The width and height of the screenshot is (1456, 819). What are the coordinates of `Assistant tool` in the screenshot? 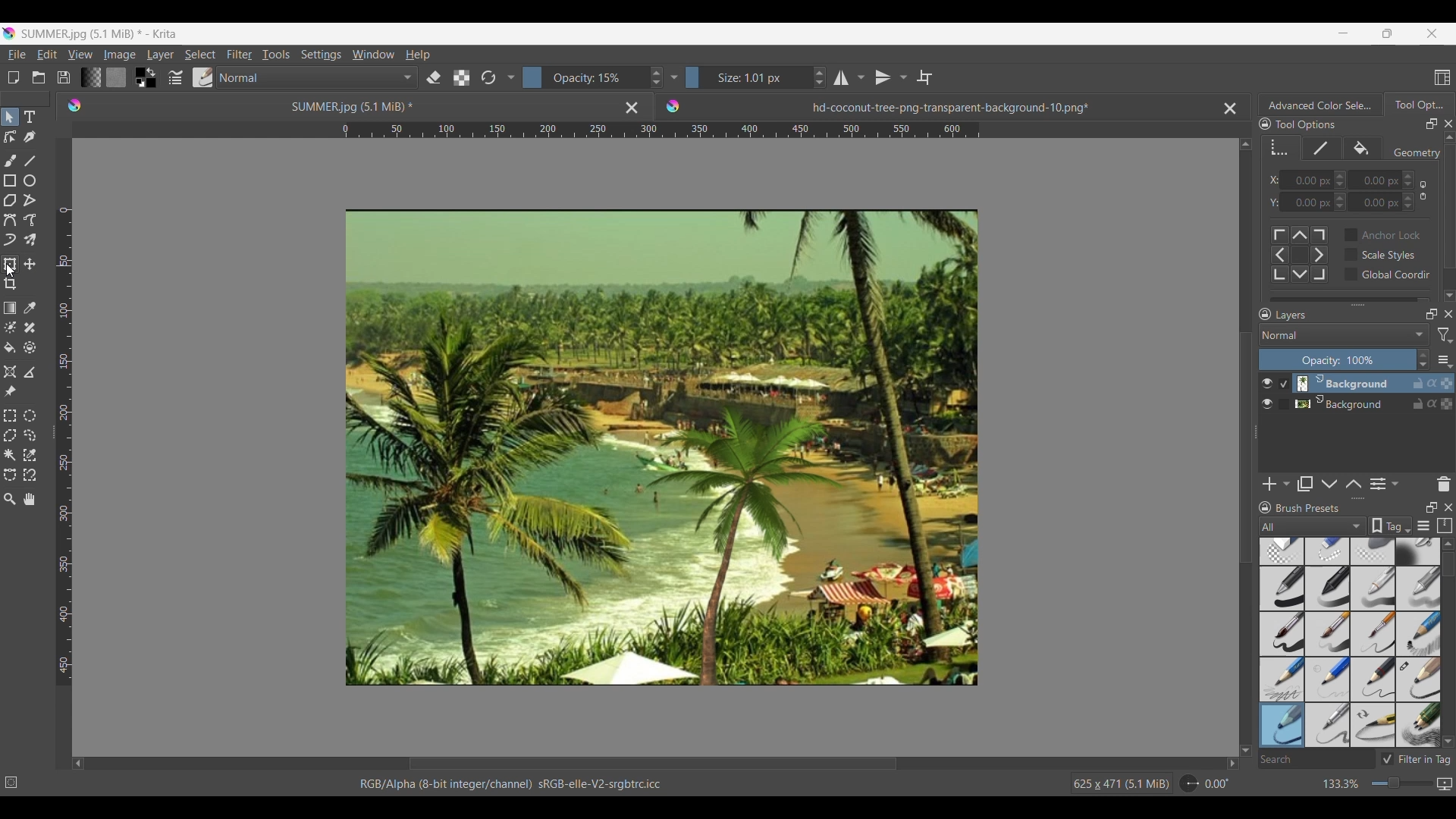 It's located at (10, 372).